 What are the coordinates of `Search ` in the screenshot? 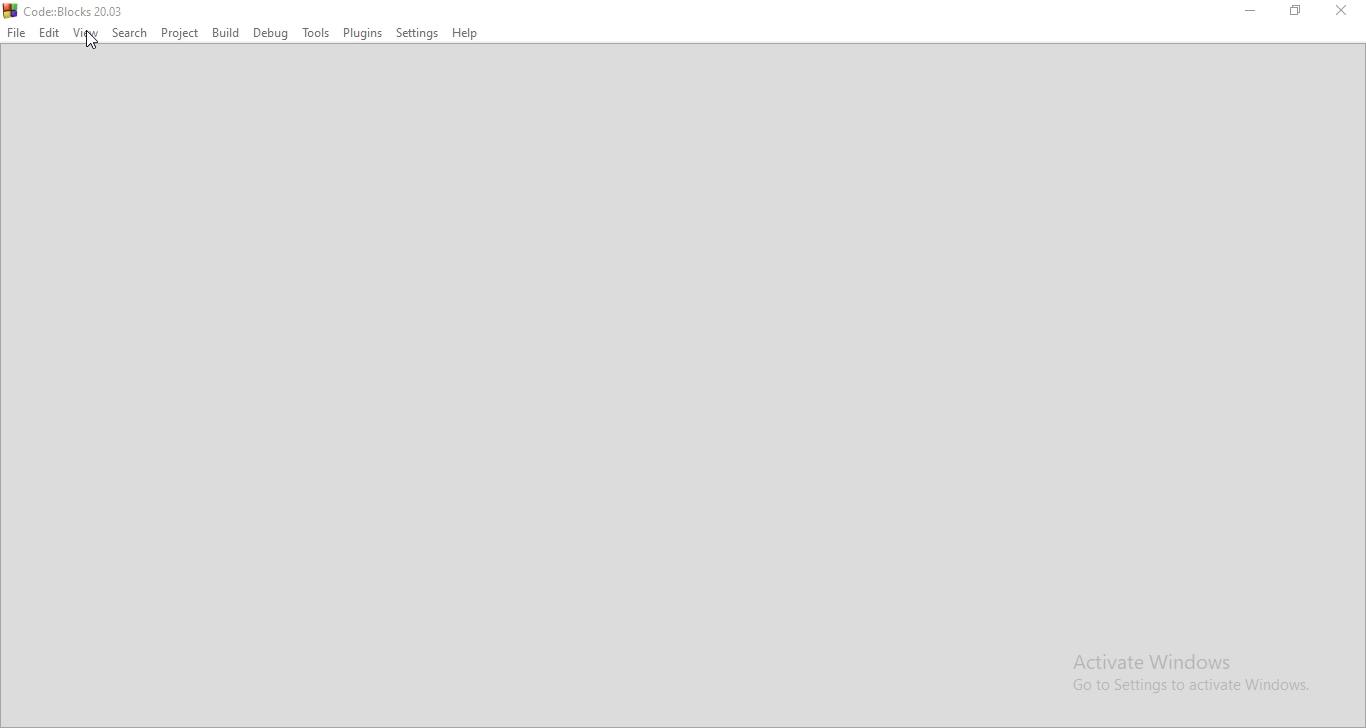 It's located at (130, 33).